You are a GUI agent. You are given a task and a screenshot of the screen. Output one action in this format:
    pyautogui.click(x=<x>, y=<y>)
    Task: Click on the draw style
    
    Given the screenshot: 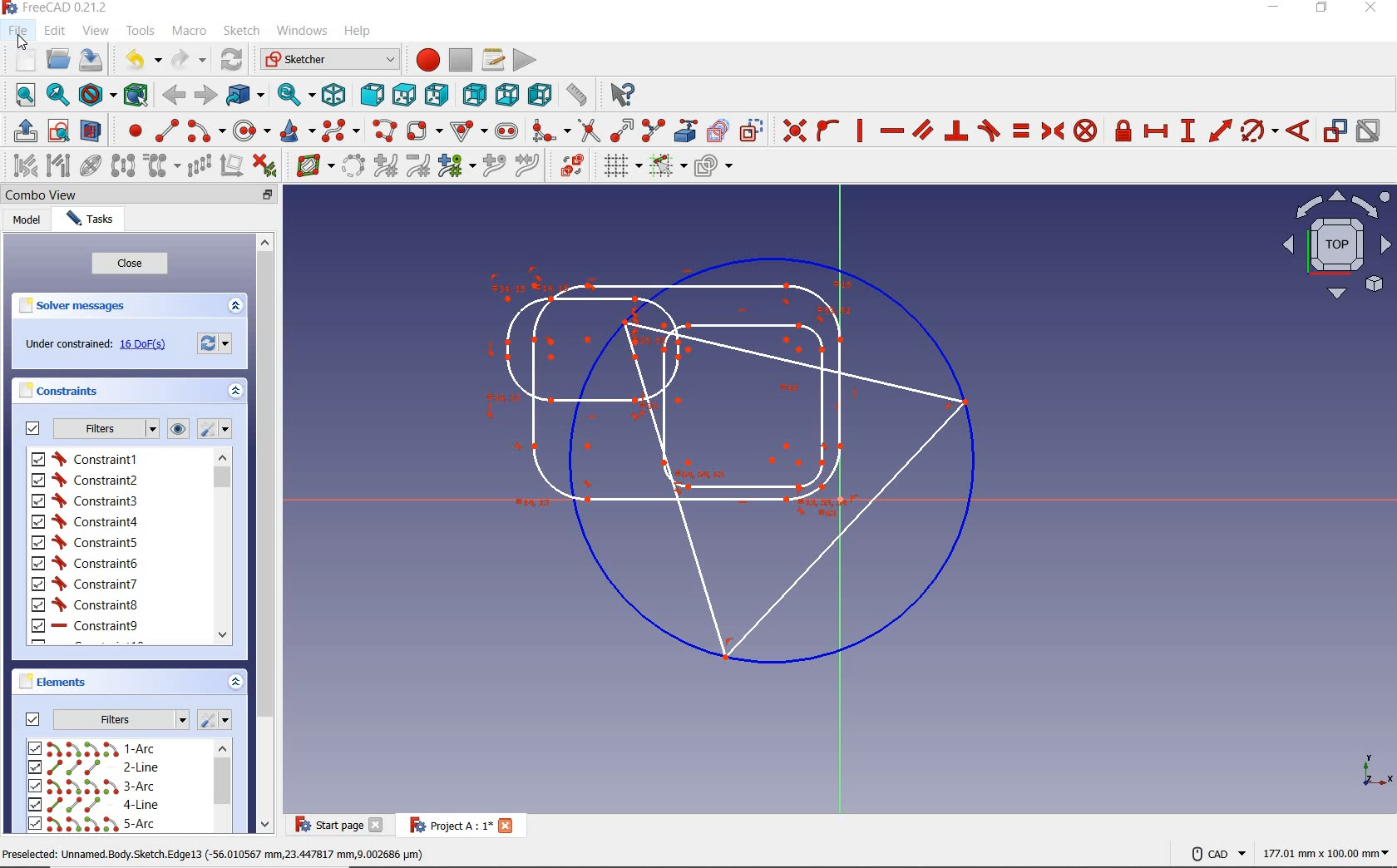 What is the action you would take?
    pyautogui.click(x=97, y=94)
    